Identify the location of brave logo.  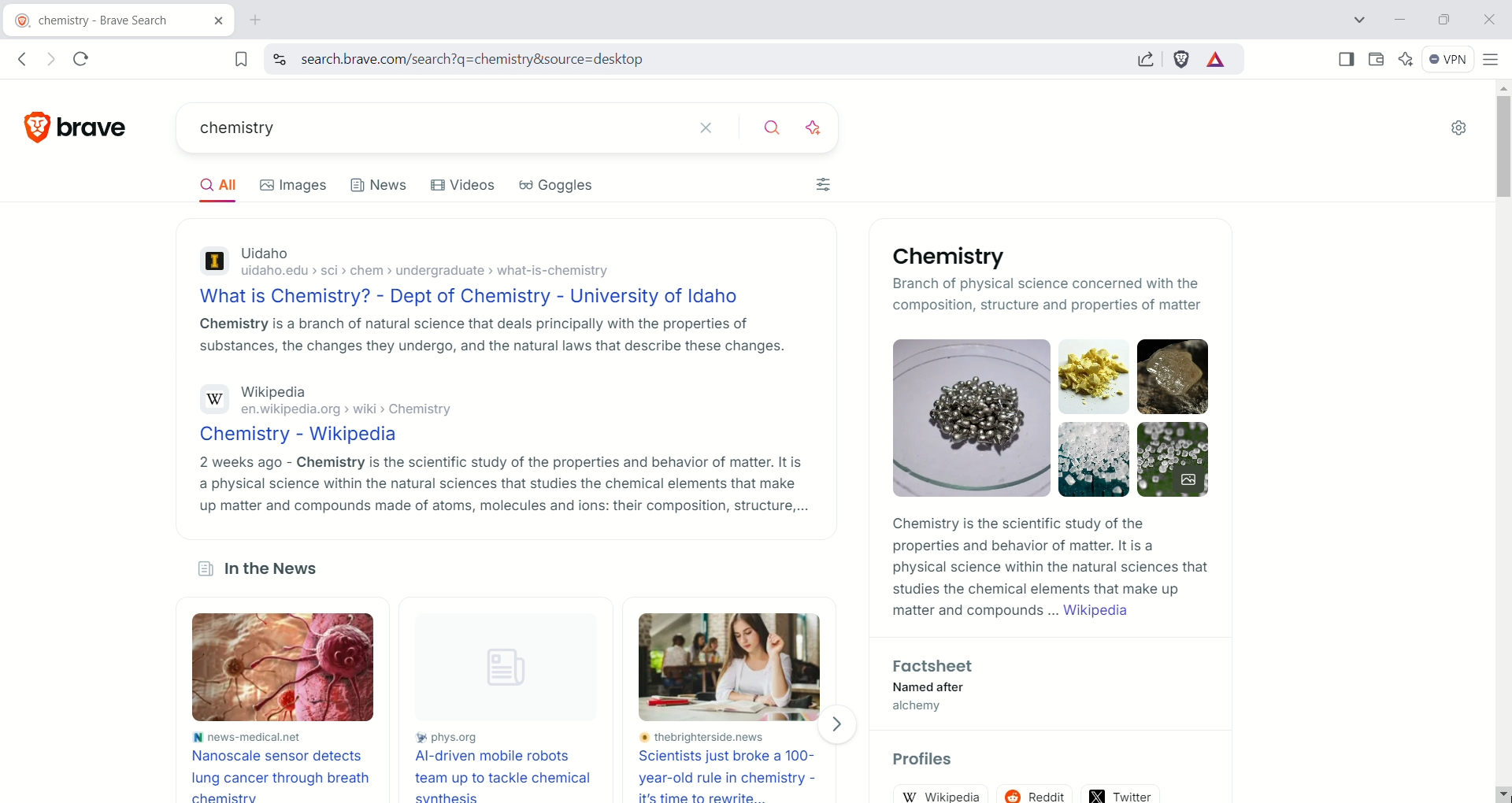
(39, 124).